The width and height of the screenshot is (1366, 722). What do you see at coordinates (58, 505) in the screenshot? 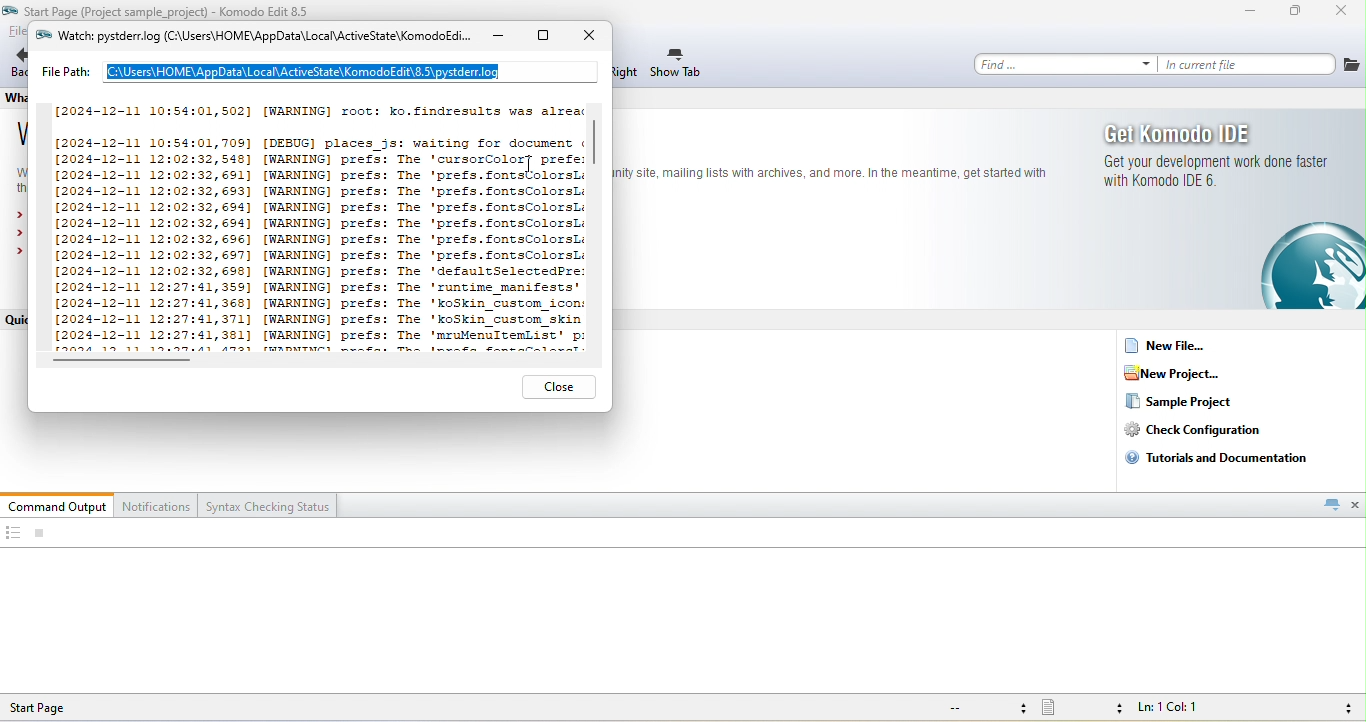
I see `command output` at bounding box center [58, 505].